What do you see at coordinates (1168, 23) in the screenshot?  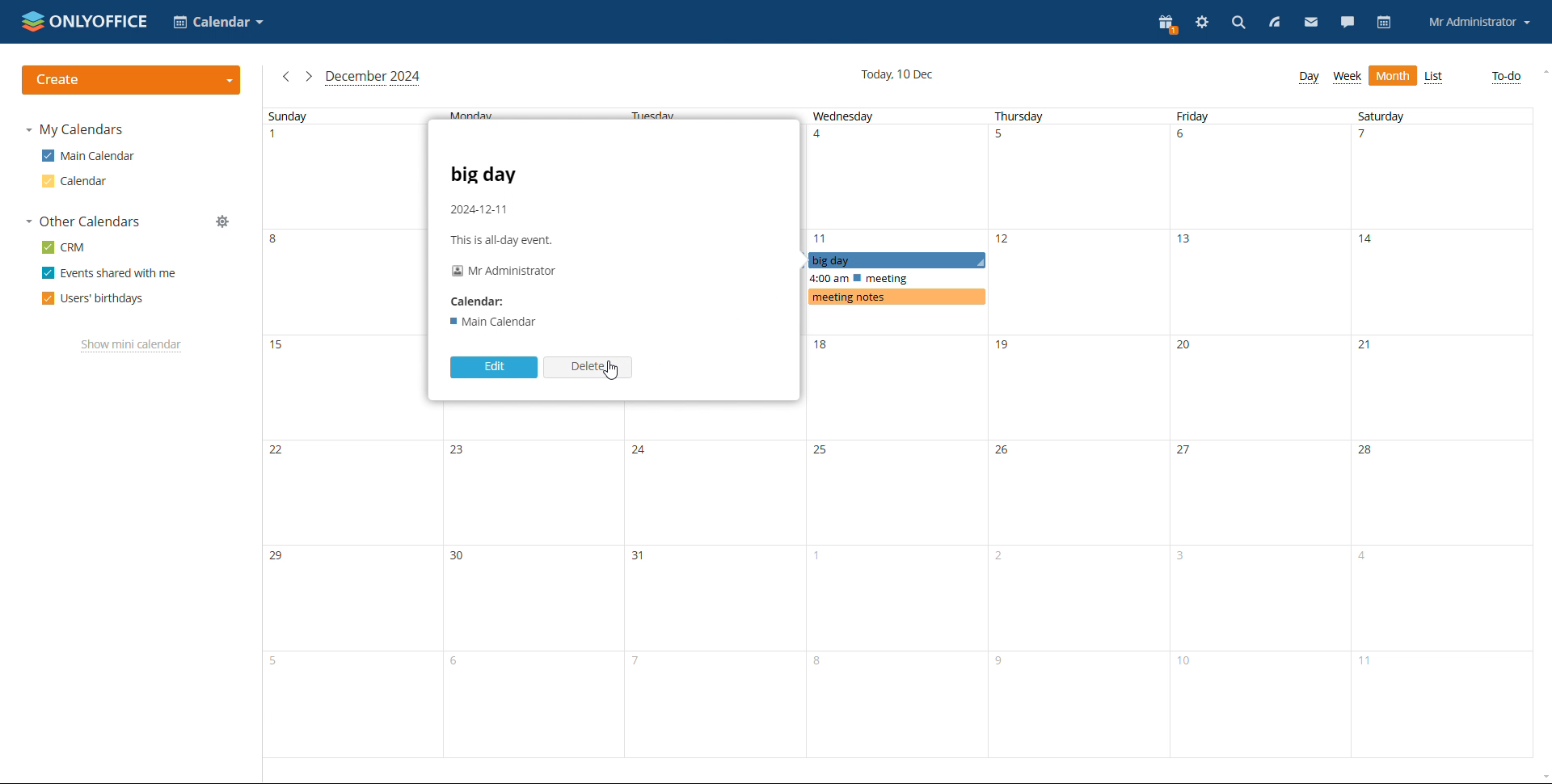 I see `present` at bounding box center [1168, 23].